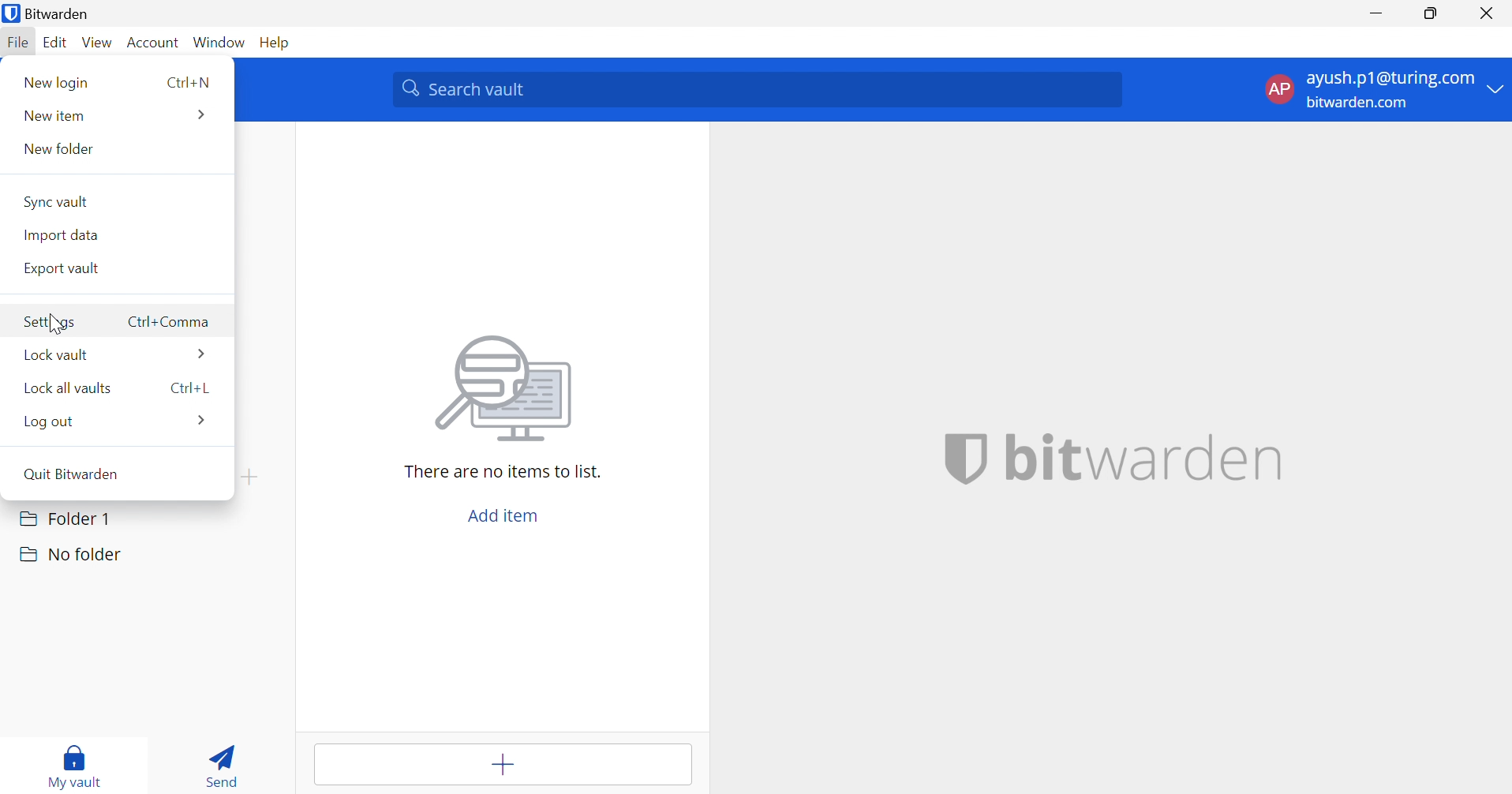 The image size is (1512, 794). I want to click on Folder 1, so click(65, 517).